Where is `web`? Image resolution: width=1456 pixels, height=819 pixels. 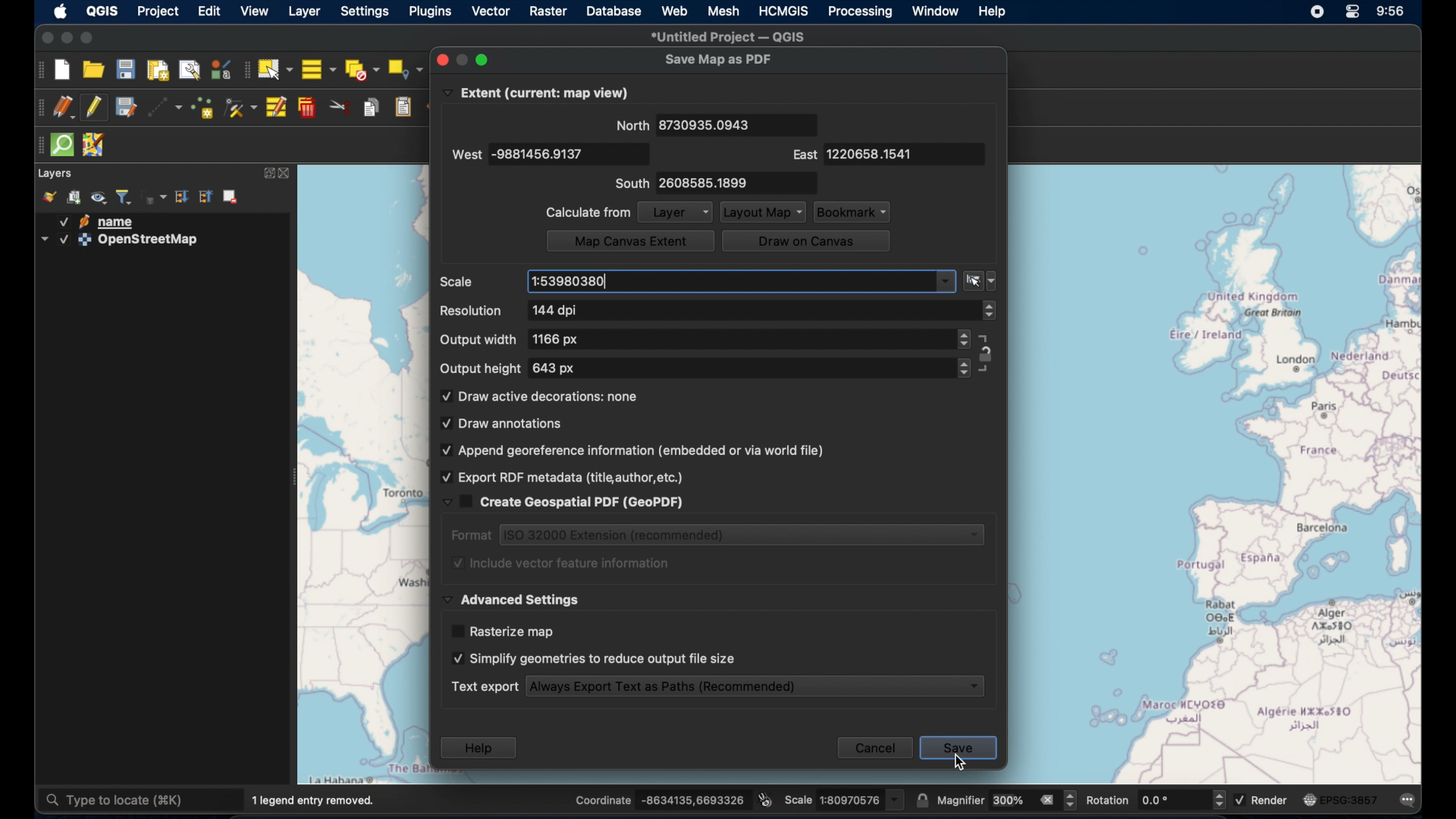
web is located at coordinates (675, 11).